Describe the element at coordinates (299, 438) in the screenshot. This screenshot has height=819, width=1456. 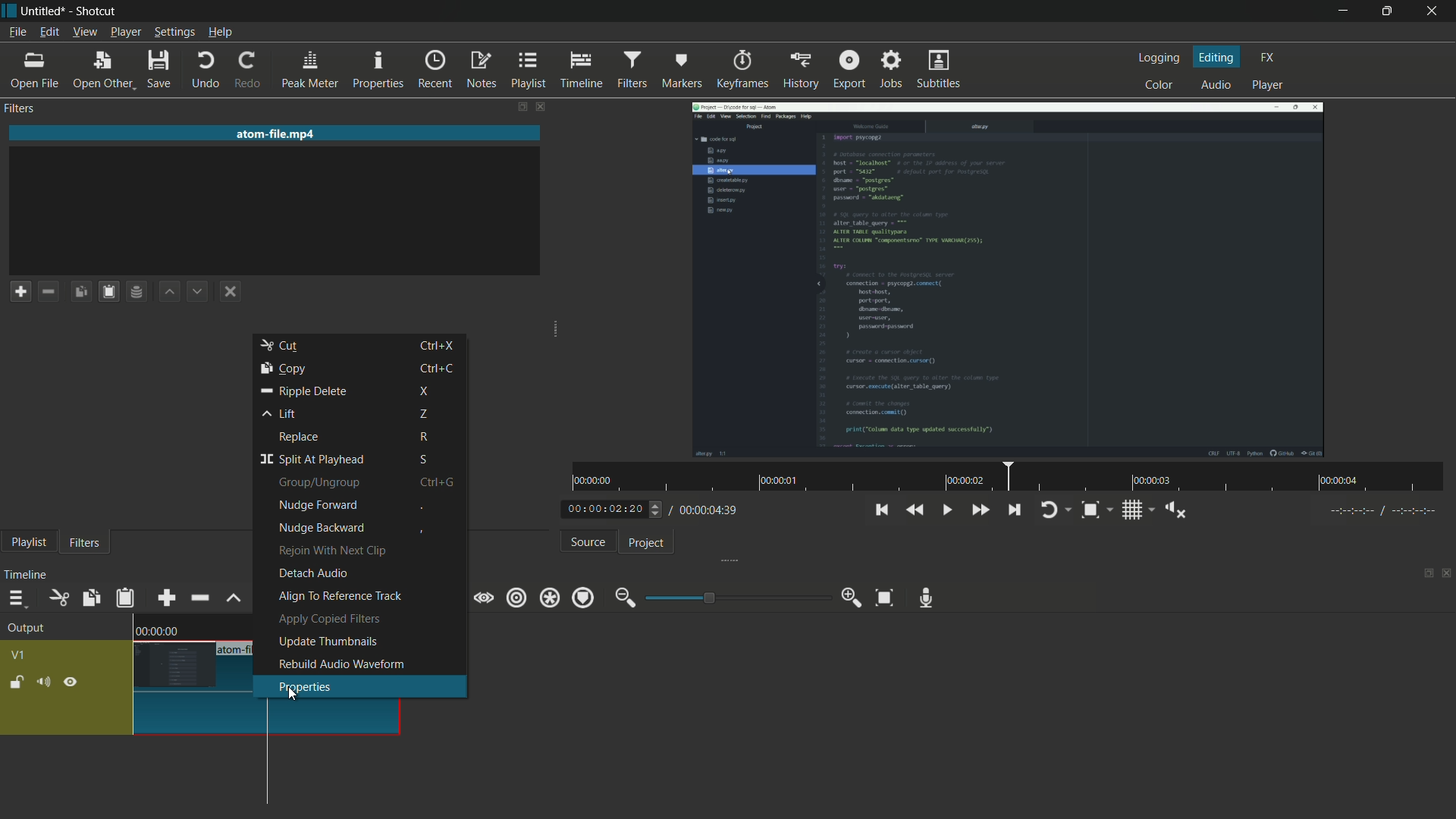
I see `replace` at that location.